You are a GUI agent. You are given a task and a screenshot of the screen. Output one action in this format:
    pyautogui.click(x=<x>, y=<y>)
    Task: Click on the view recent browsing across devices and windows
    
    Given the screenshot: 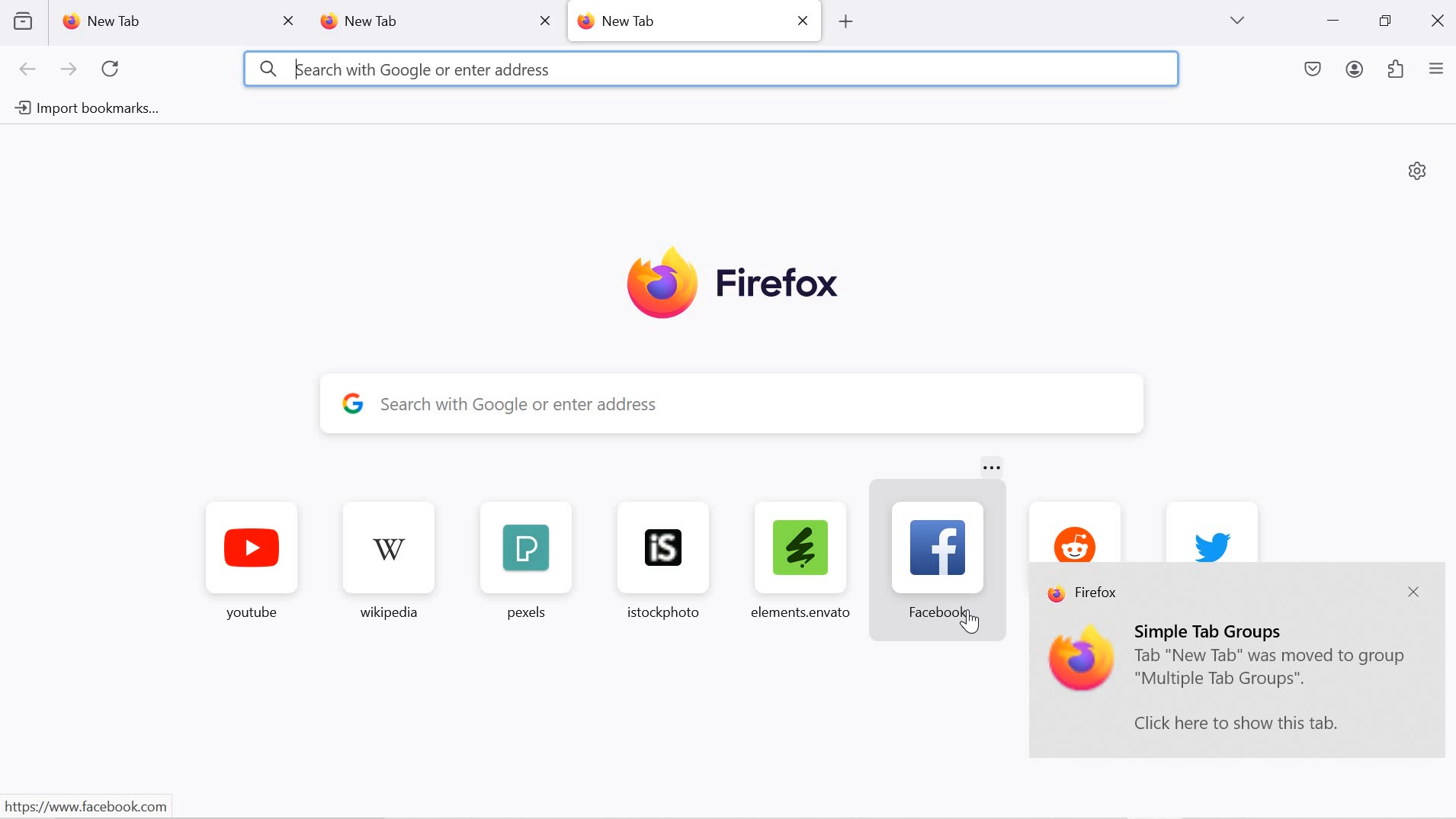 What is the action you would take?
    pyautogui.click(x=22, y=21)
    